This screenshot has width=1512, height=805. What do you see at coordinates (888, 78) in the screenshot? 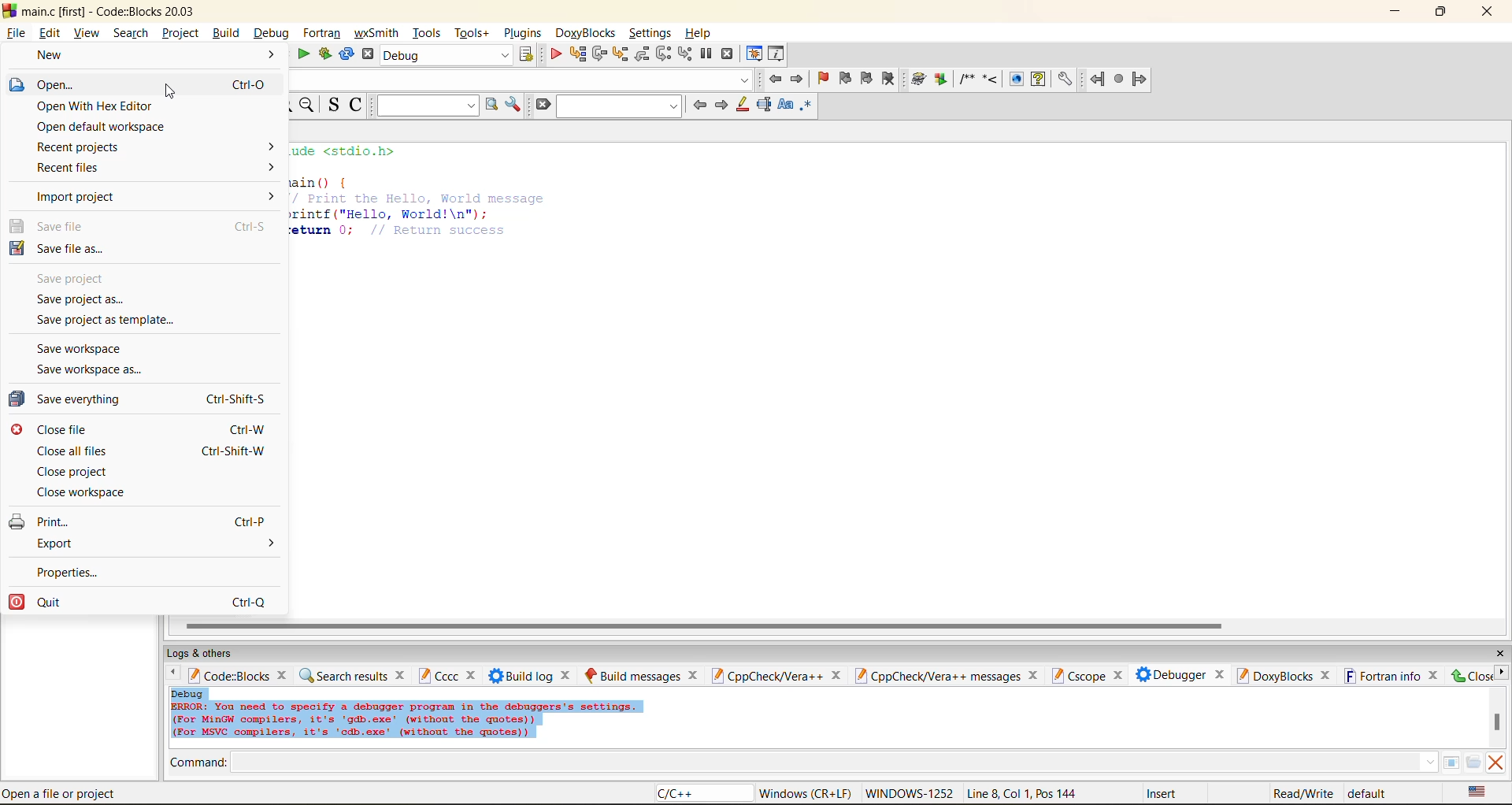
I see `clear bookmark` at bounding box center [888, 78].